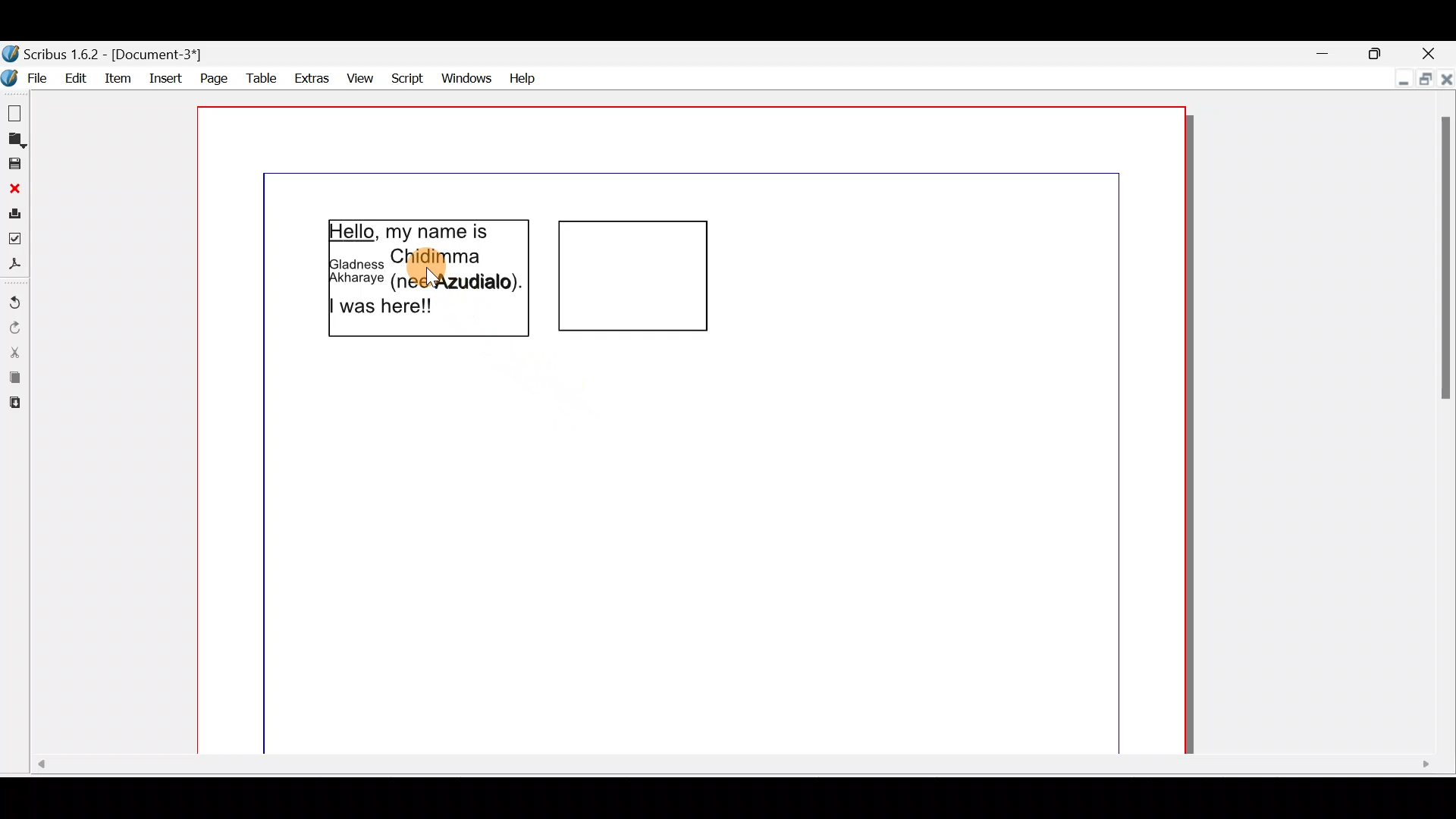 This screenshot has width=1456, height=819. Describe the element at coordinates (119, 76) in the screenshot. I see `Item` at that location.